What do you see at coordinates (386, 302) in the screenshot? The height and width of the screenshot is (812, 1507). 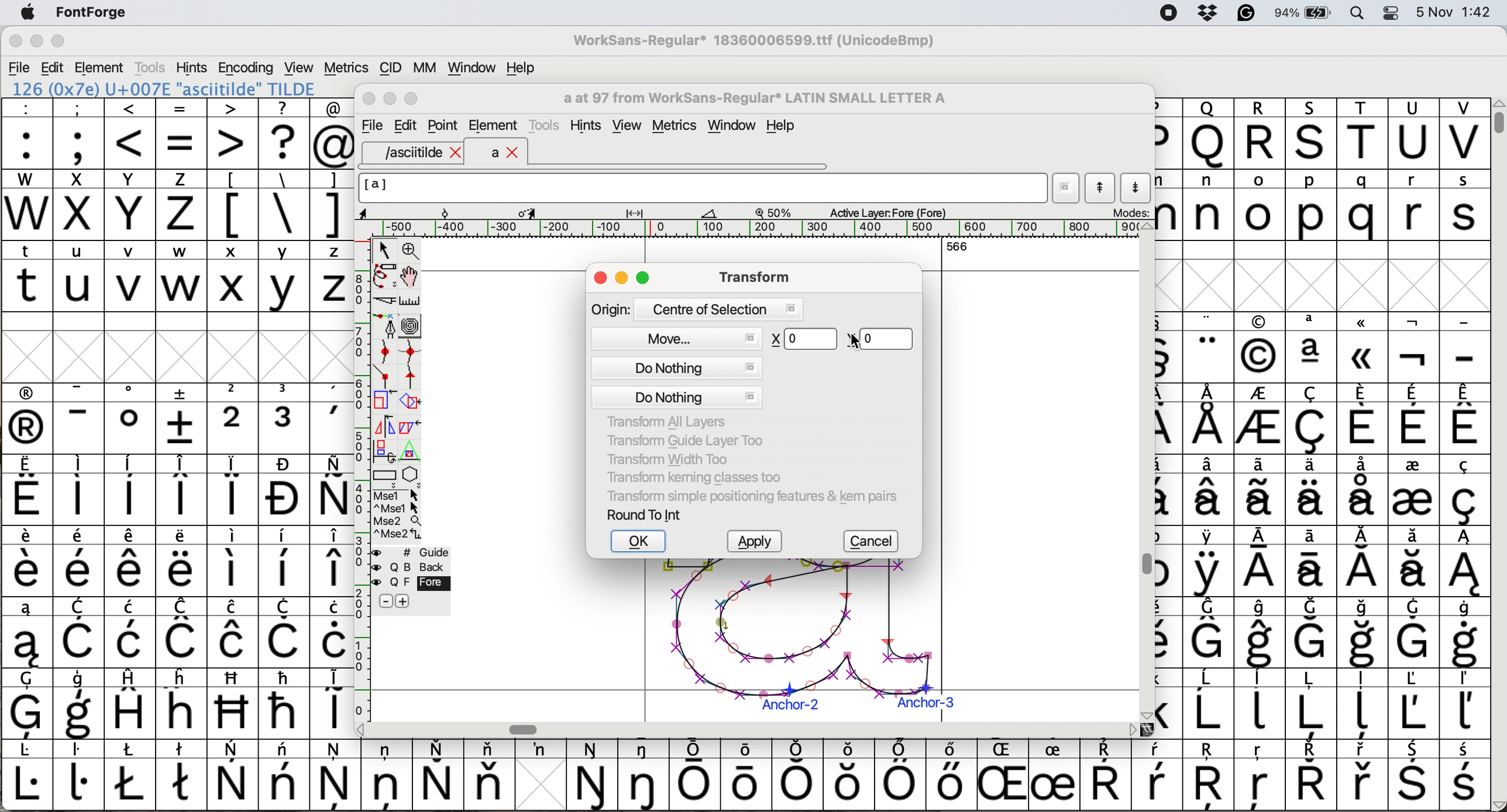 I see `cut splines in two` at bounding box center [386, 302].